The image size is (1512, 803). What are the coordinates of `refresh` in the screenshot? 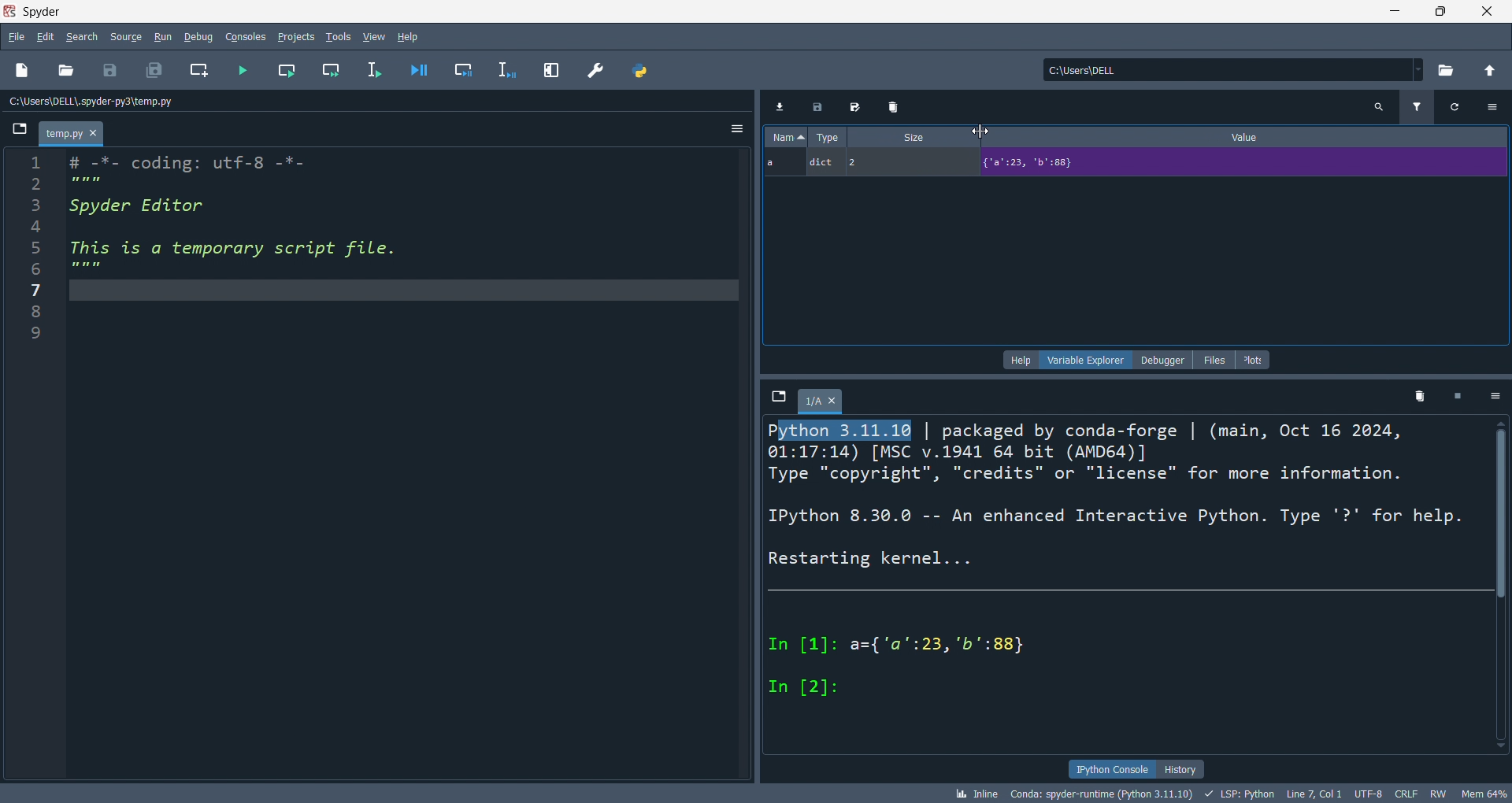 It's located at (1457, 107).